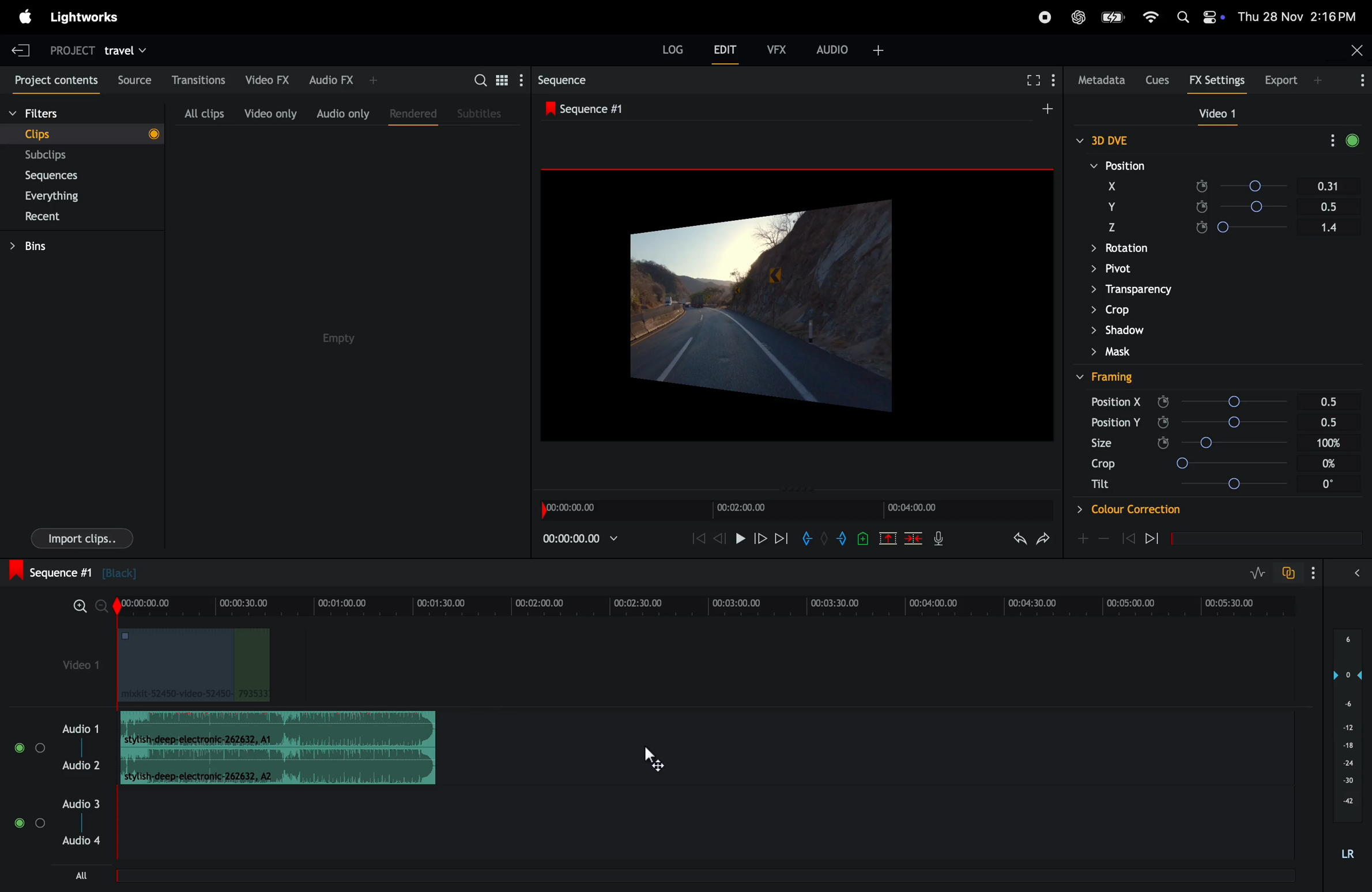 This screenshot has width=1372, height=892. Describe the element at coordinates (1114, 186) in the screenshot. I see `position y` at that location.